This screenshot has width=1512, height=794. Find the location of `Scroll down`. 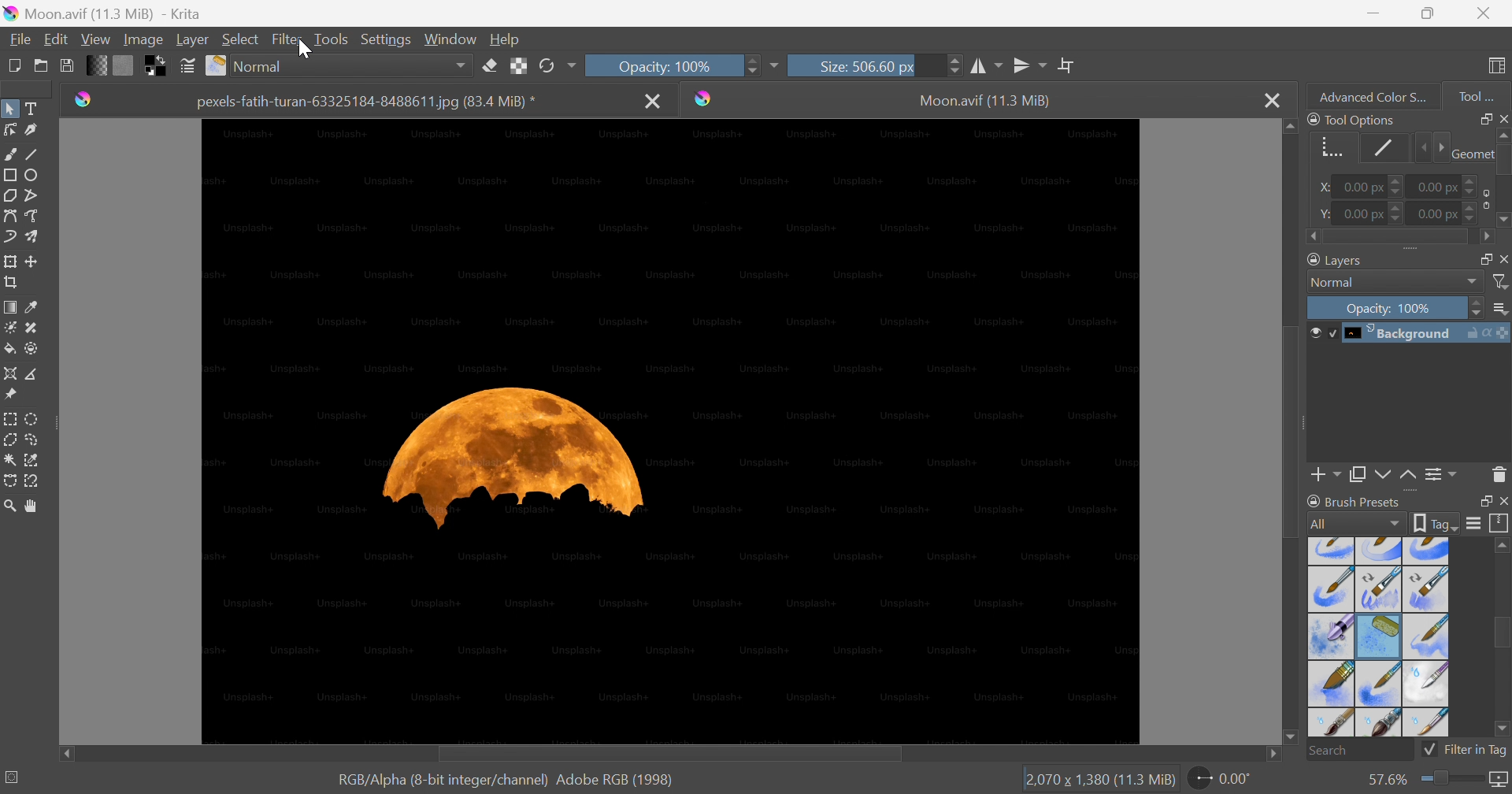

Scroll down is located at coordinates (1503, 222).